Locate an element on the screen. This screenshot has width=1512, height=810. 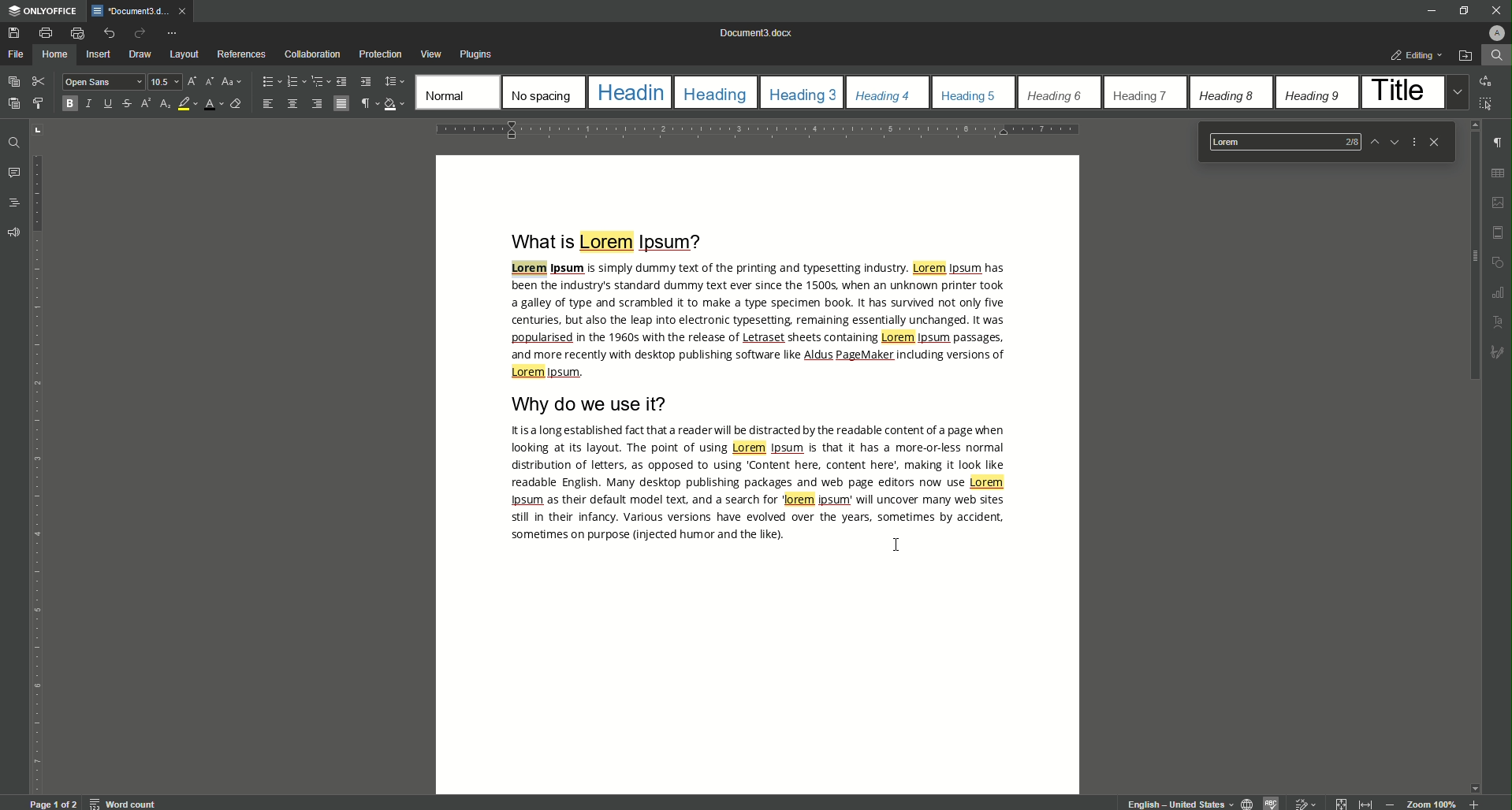
Zoom Out is located at coordinates (1391, 803).